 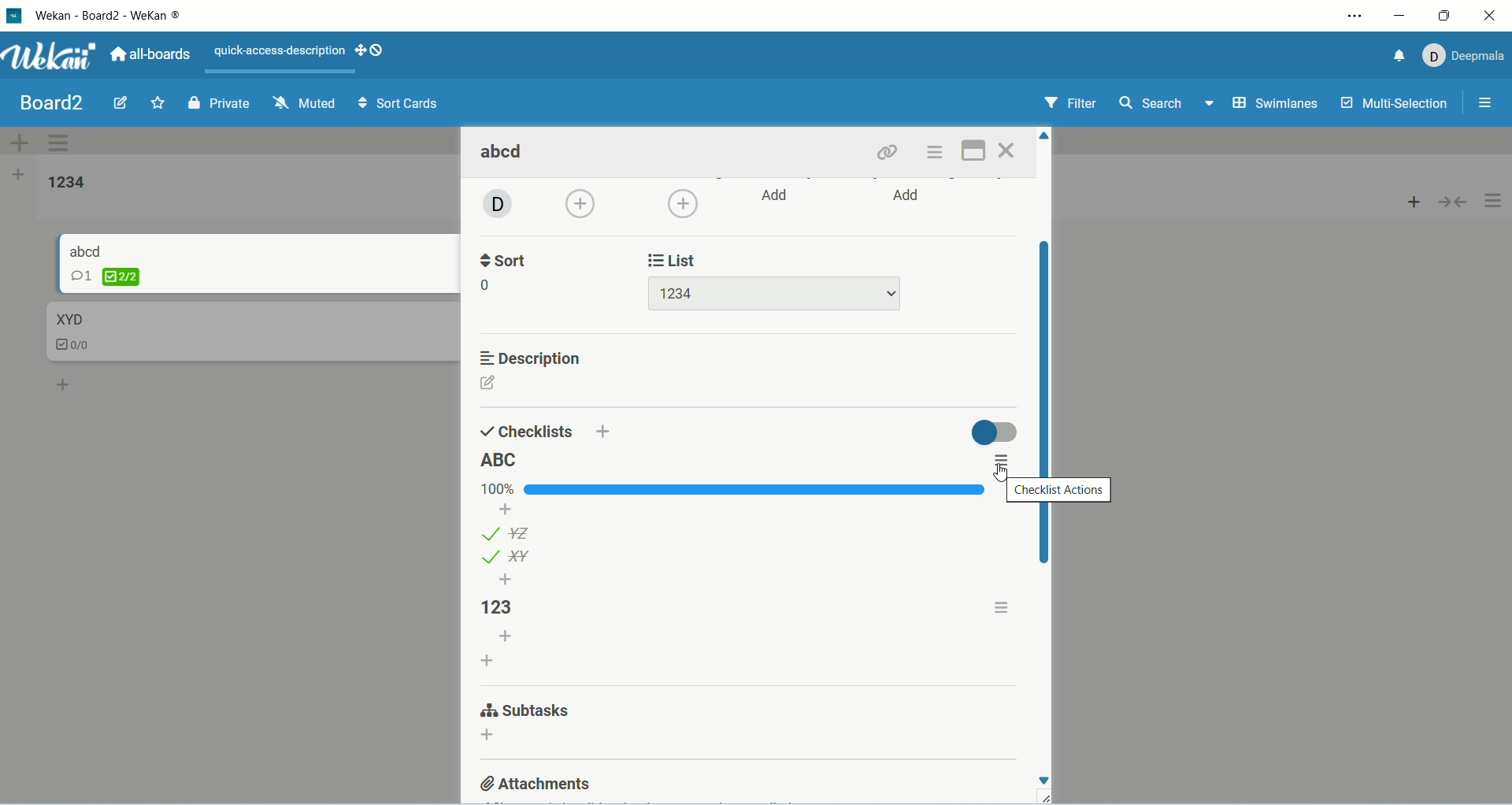 What do you see at coordinates (65, 384) in the screenshot?
I see `add` at bounding box center [65, 384].